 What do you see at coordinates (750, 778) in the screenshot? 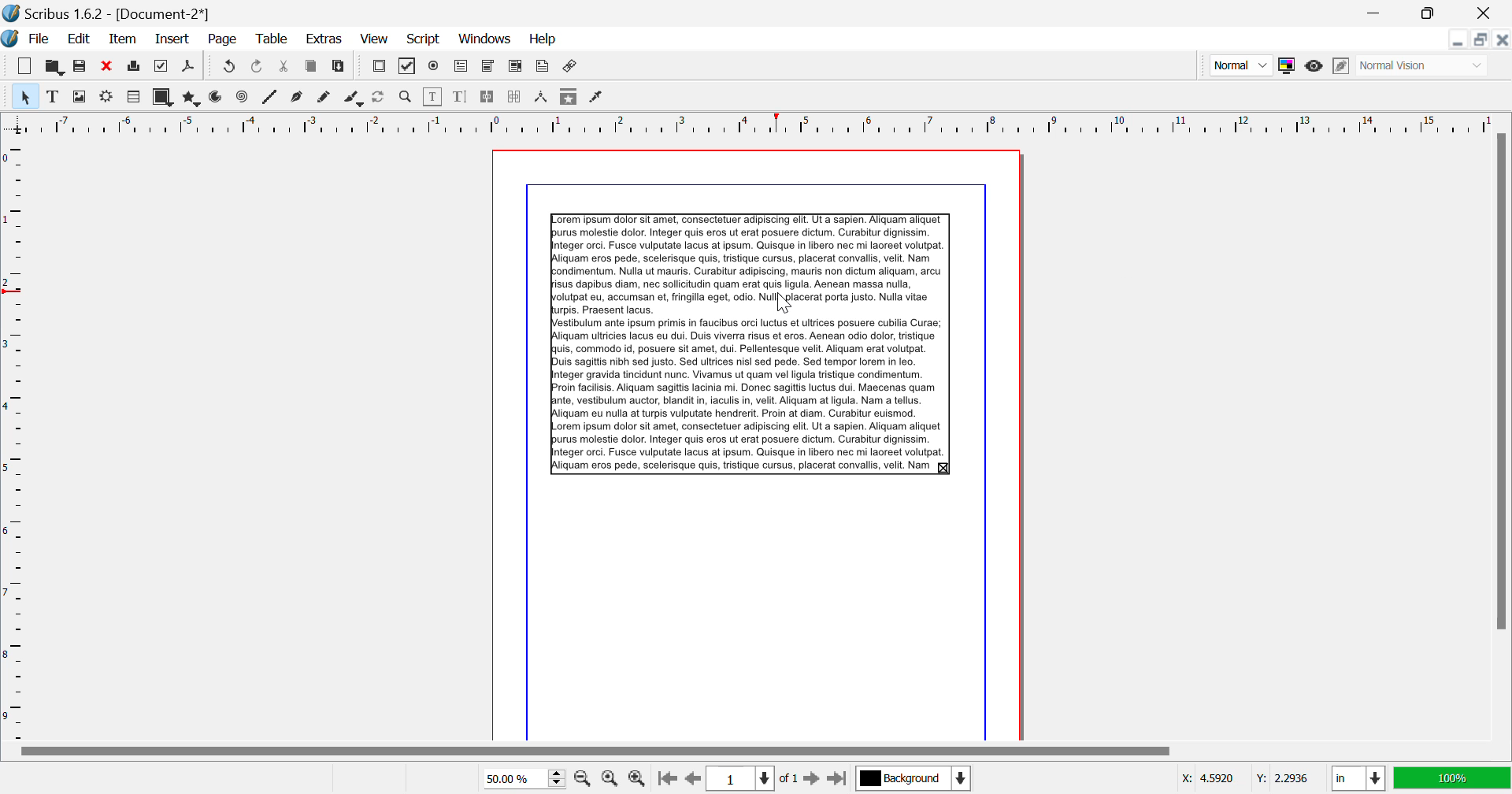
I see `Page 1 of 1` at bounding box center [750, 778].